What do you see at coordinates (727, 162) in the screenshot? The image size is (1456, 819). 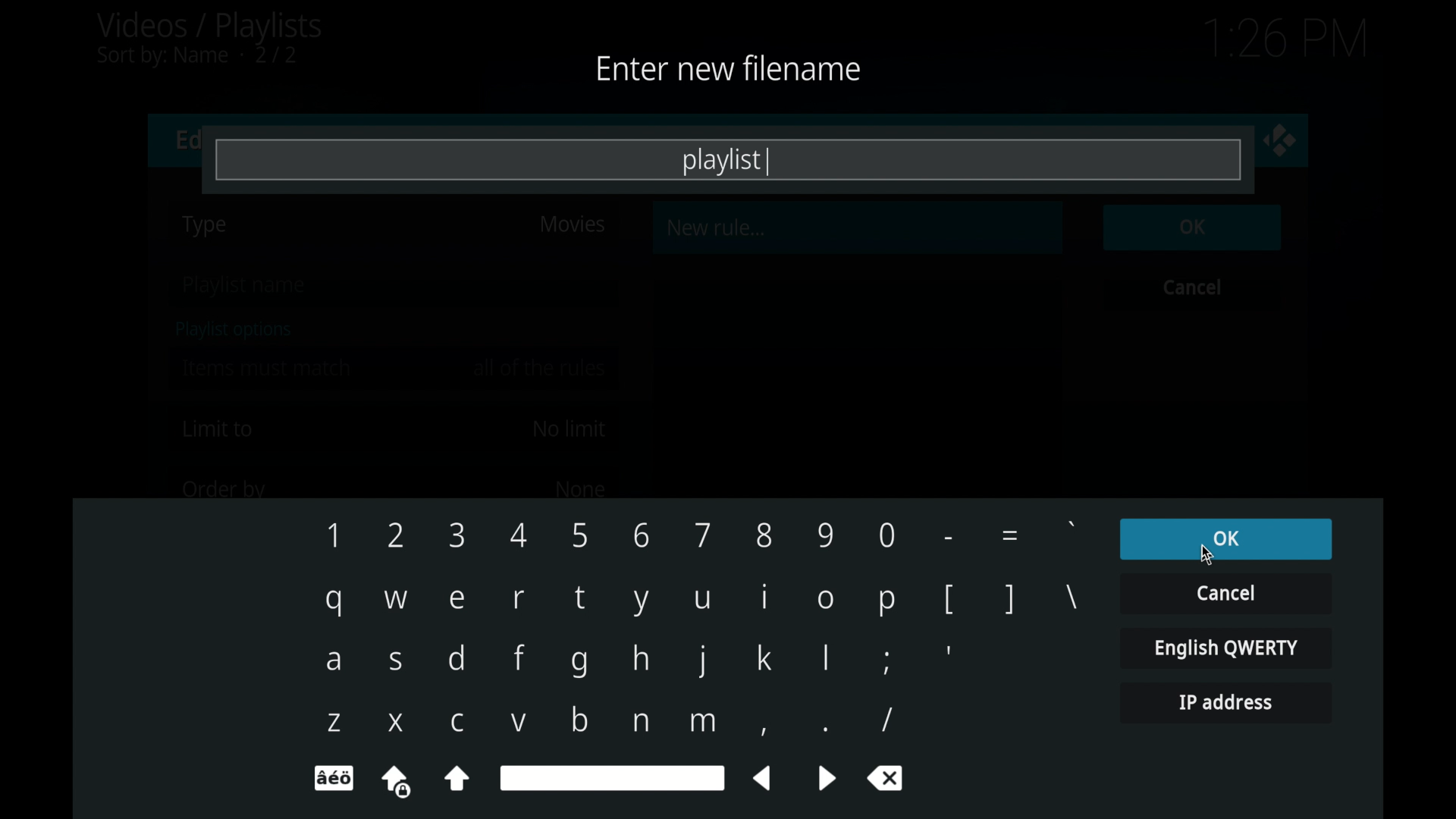 I see `playlist` at bounding box center [727, 162].